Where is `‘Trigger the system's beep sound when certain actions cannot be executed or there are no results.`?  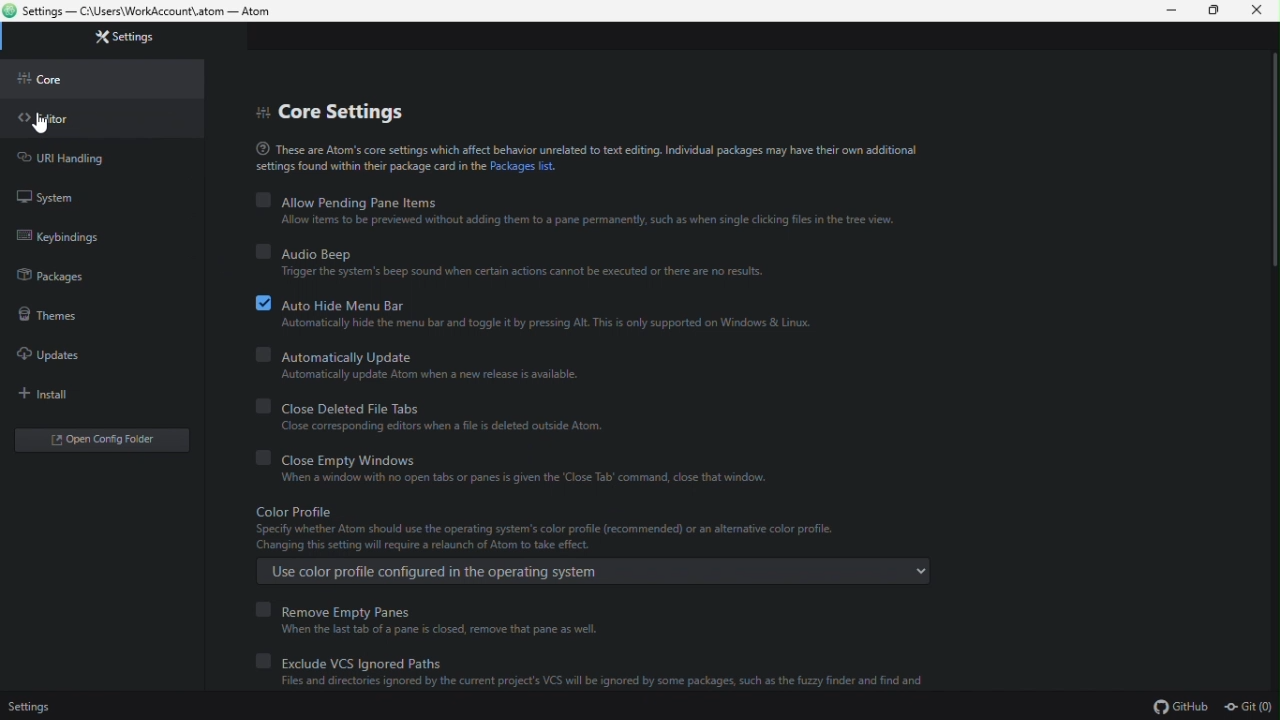
‘Trigger the system's beep sound when certain actions cannot be executed or there are no results. is located at coordinates (530, 272).